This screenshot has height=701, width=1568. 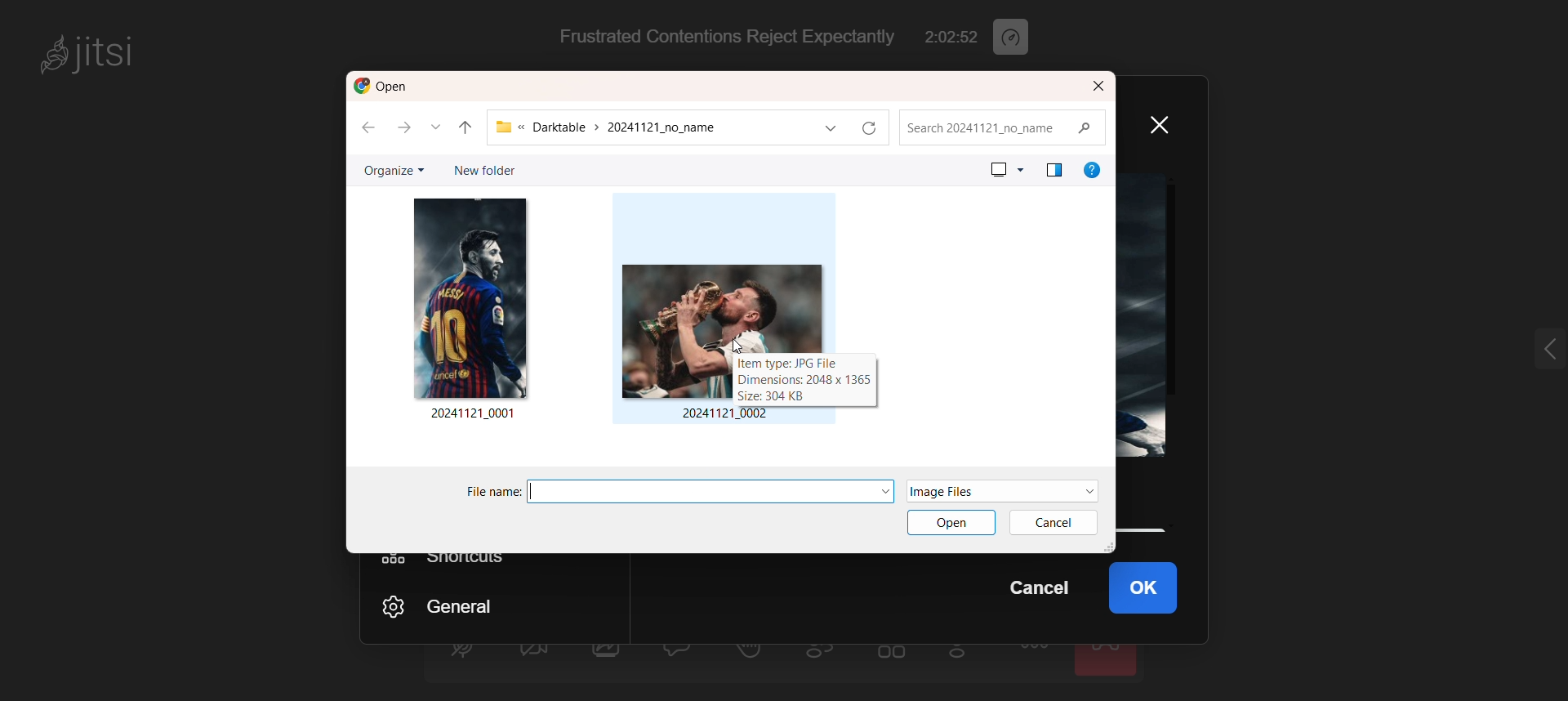 What do you see at coordinates (1006, 127) in the screenshot?
I see `search bar` at bounding box center [1006, 127].